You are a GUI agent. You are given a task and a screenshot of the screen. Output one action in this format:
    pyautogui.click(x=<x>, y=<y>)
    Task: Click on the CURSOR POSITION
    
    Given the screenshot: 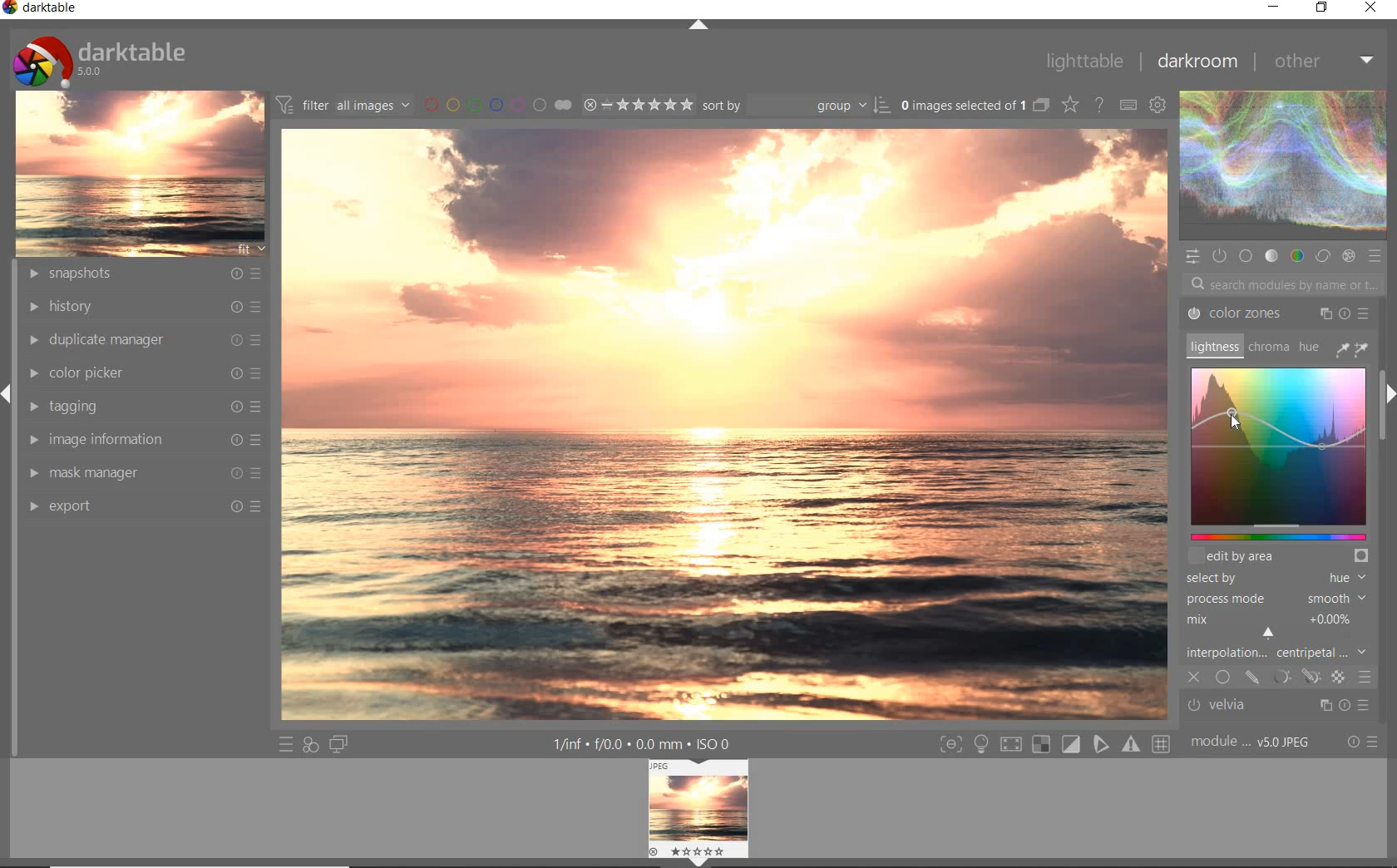 What is the action you would take?
    pyautogui.click(x=1232, y=418)
    